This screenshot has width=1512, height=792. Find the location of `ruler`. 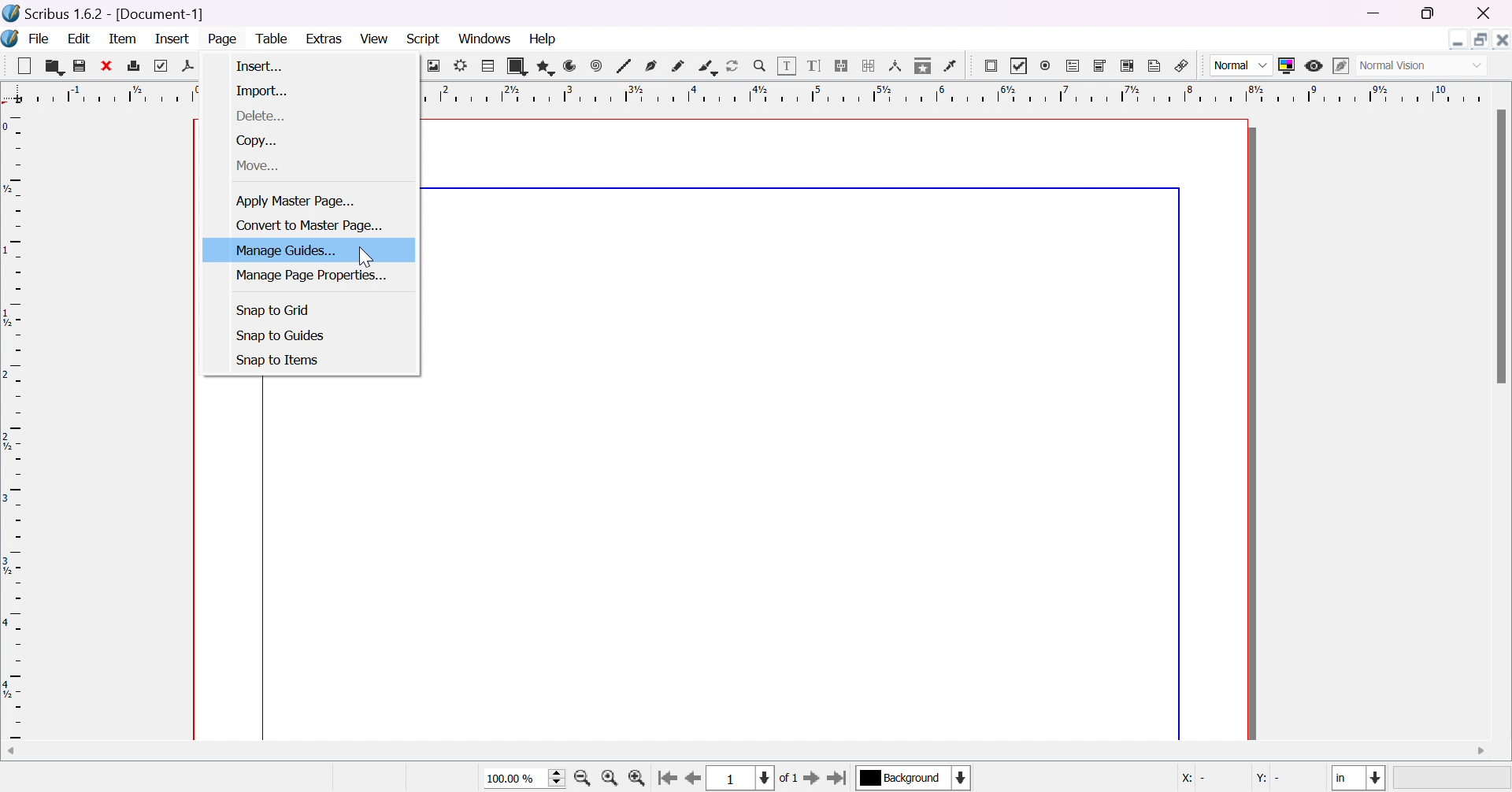

ruler is located at coordinates (101, 91).